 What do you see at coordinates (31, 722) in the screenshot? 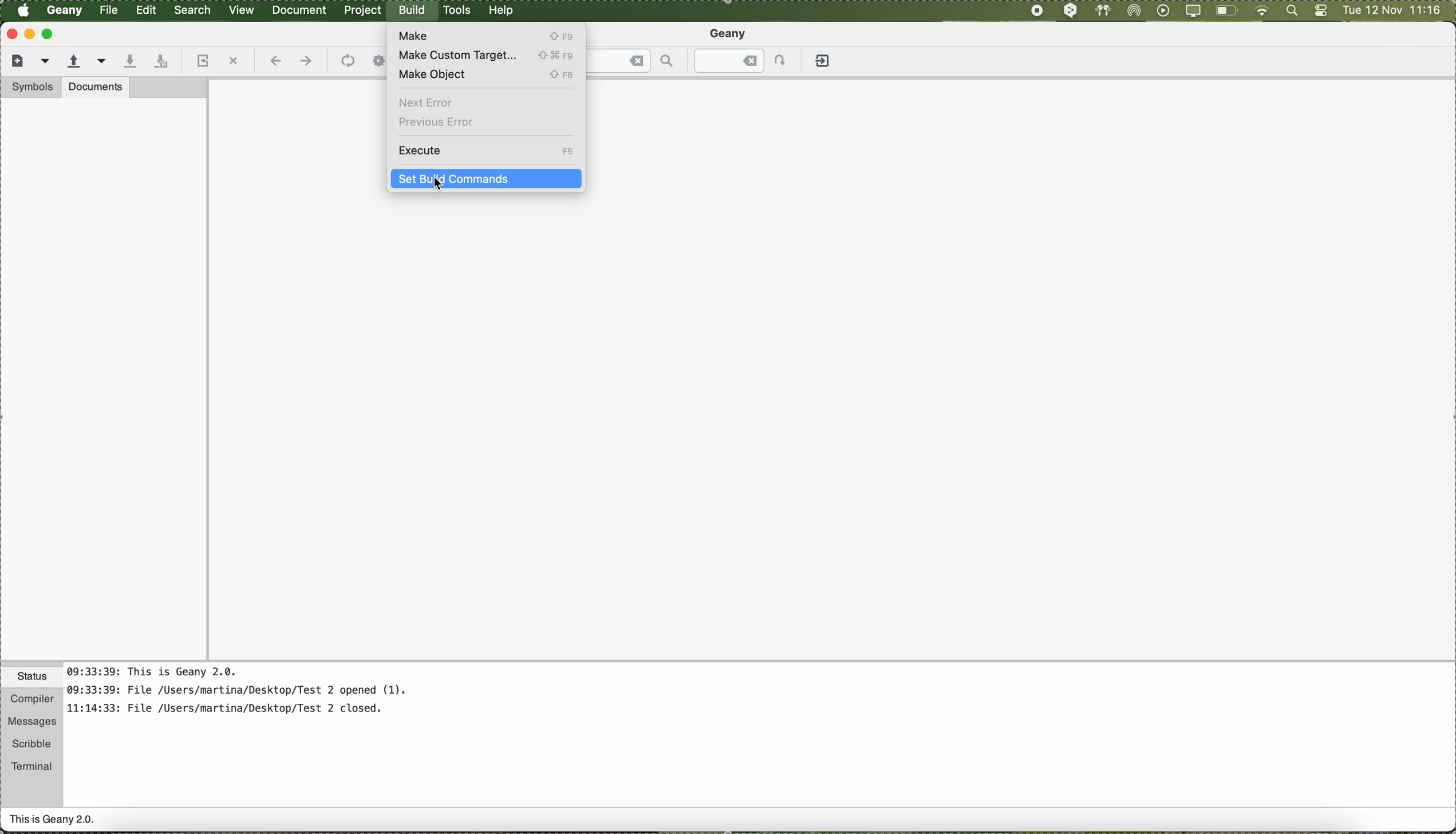
I see `messages` at bounding box center [31, 722].